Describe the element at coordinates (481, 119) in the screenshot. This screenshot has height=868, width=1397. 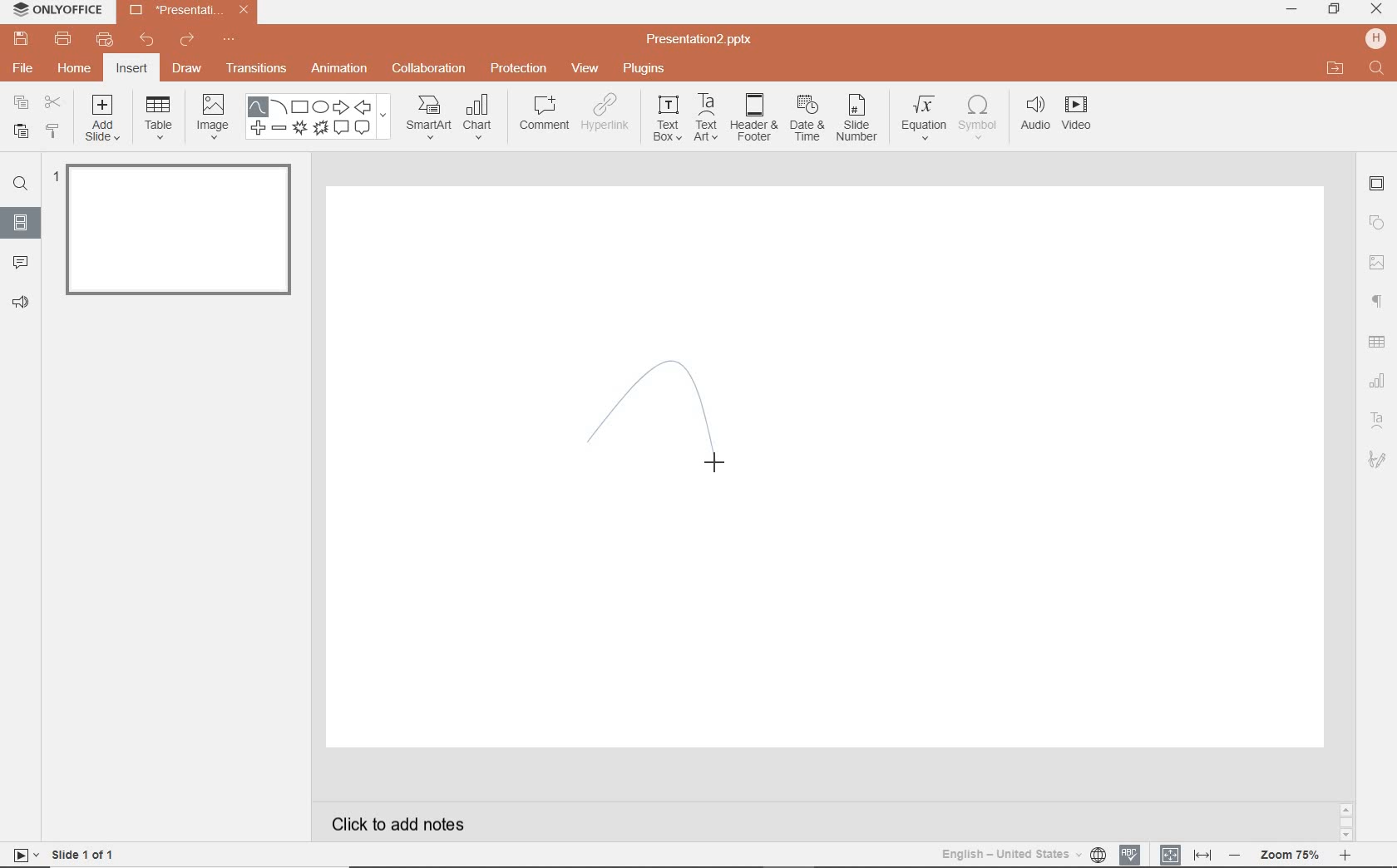
I see `CHART` at that location.